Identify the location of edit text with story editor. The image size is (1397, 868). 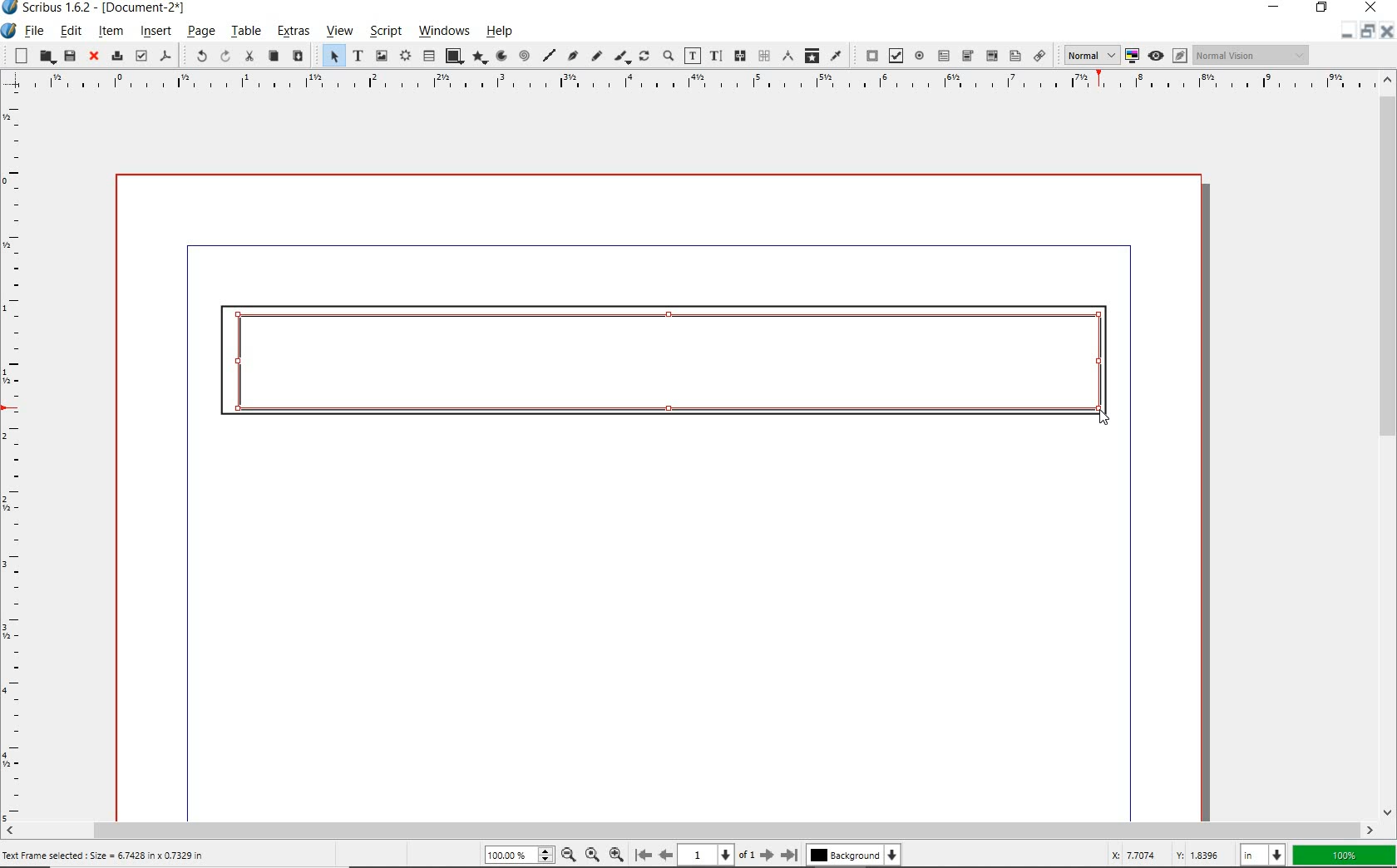
(716, 57).